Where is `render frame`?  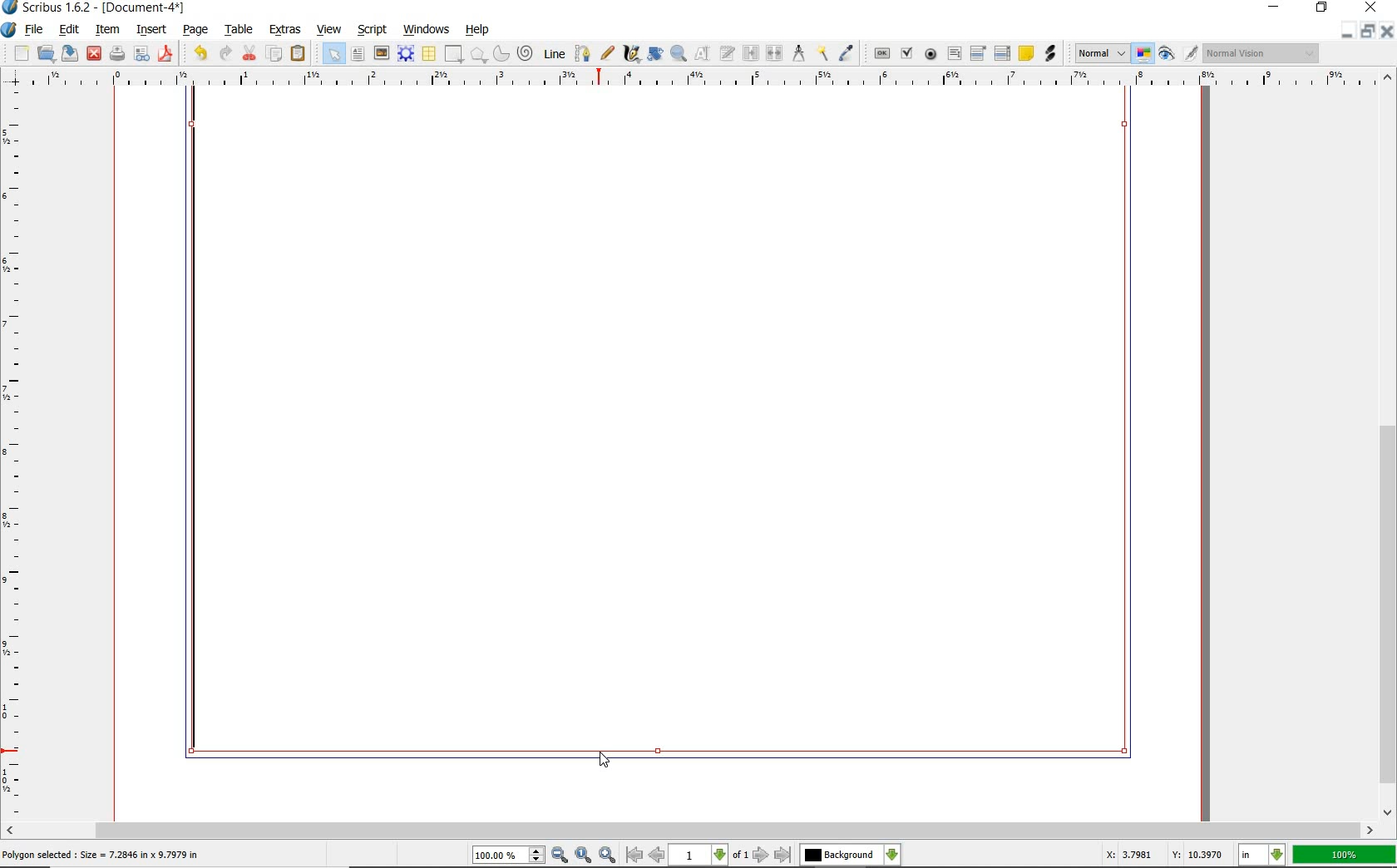 render frame is located at coordinates (407, 55).